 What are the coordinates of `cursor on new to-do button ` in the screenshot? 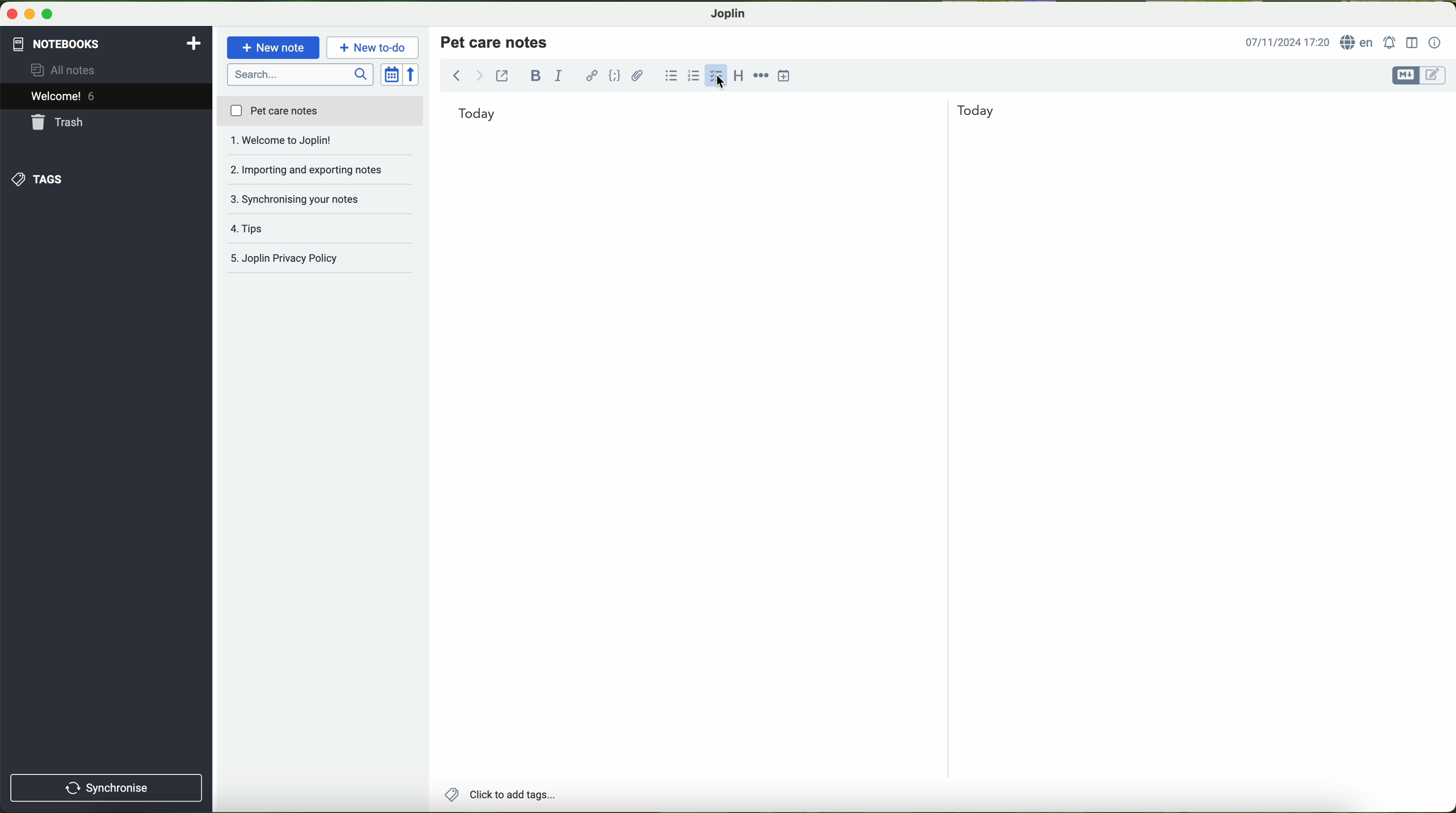 It's located at (374, 48).